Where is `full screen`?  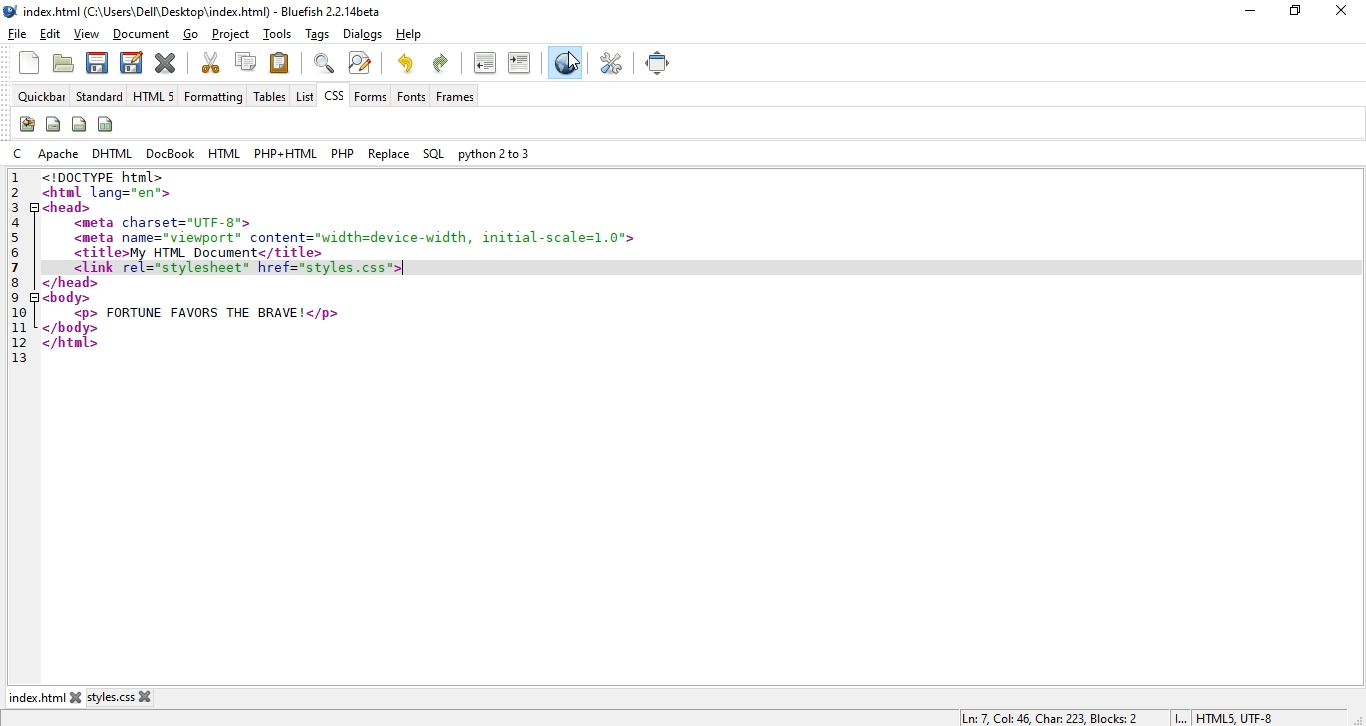
full screen is located at coordinates (659, 63).